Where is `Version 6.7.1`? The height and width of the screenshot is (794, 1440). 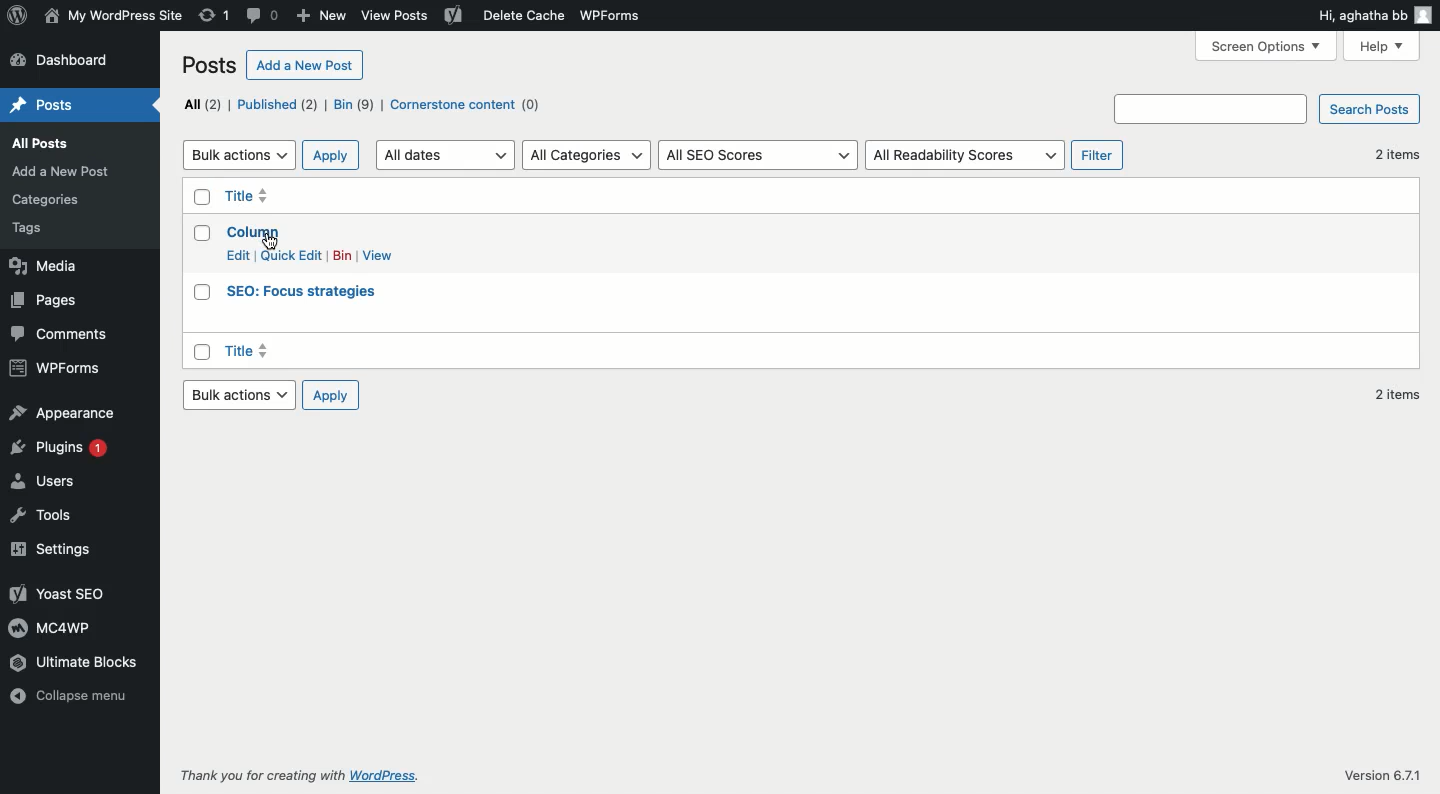
Version 6.7.1 is located at coordinates (1382, 775).